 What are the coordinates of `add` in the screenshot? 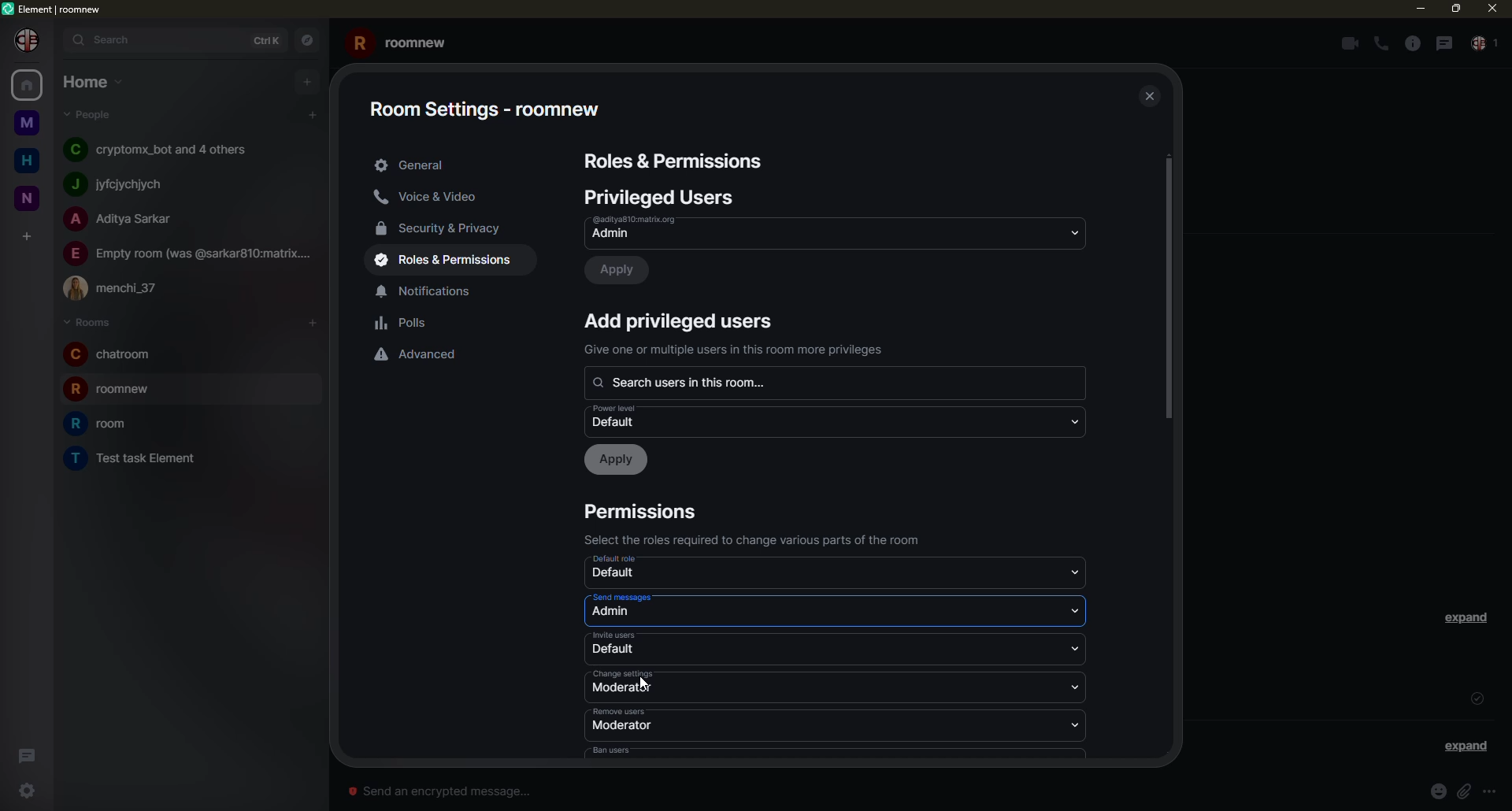 It's located at (29, 235).